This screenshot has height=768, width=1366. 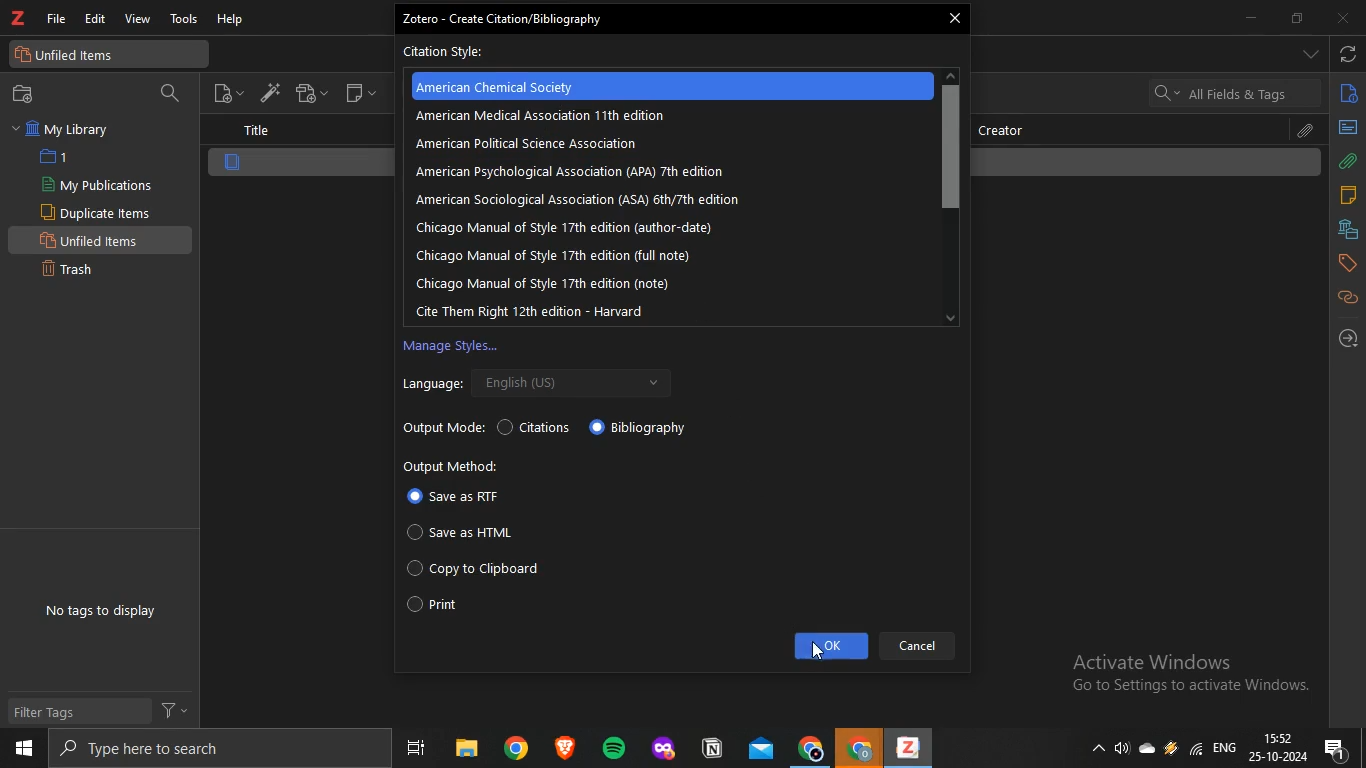 I want to click on view, so click(x=136, y=20).